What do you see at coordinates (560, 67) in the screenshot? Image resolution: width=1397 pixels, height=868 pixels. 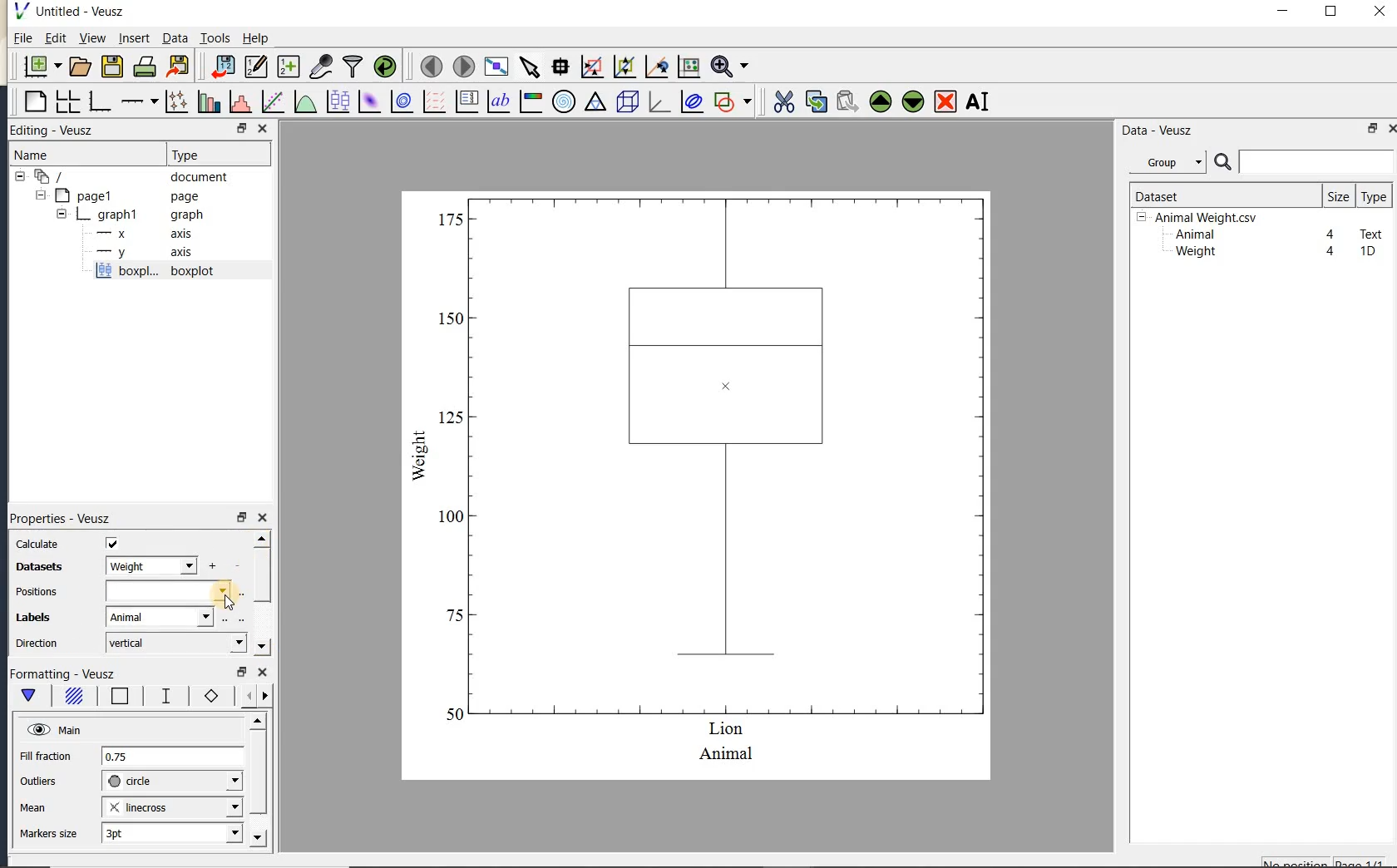 I see `read data points on the graph` at bounding box center [560, 67].